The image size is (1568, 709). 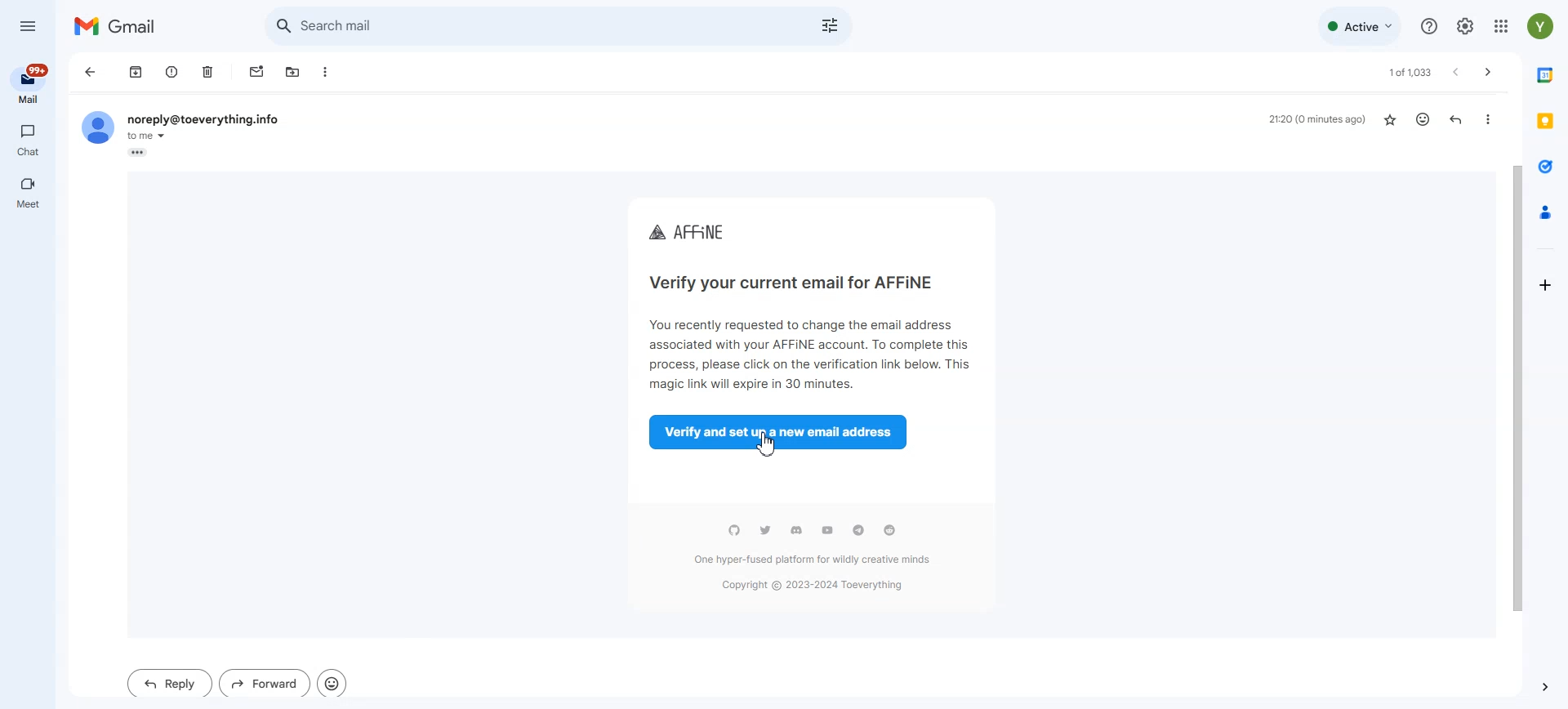 I want to click on Calendar, so click(x=1544, y=77).